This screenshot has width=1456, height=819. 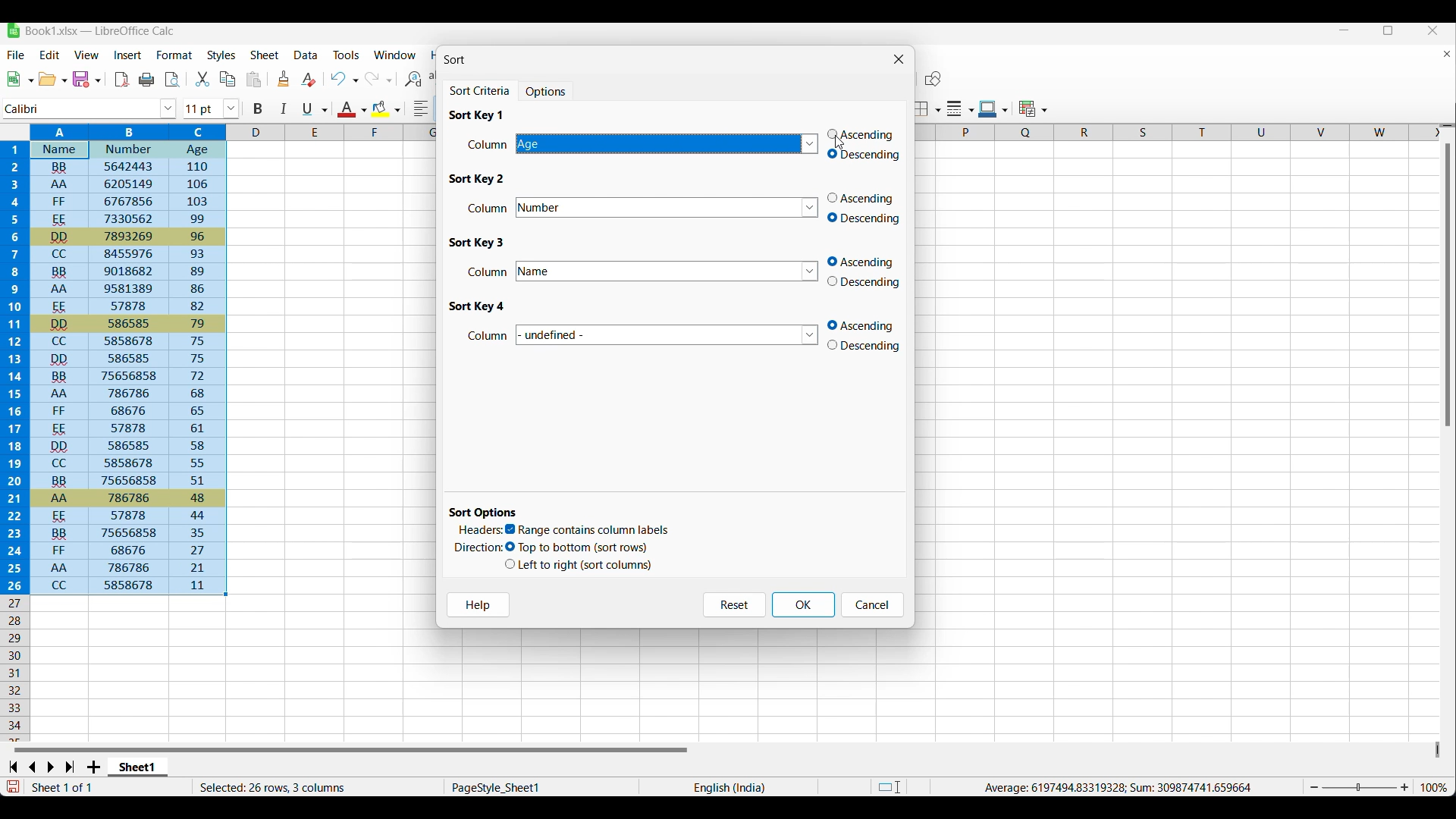 I want to click on column name, so click(x=668, y=334).